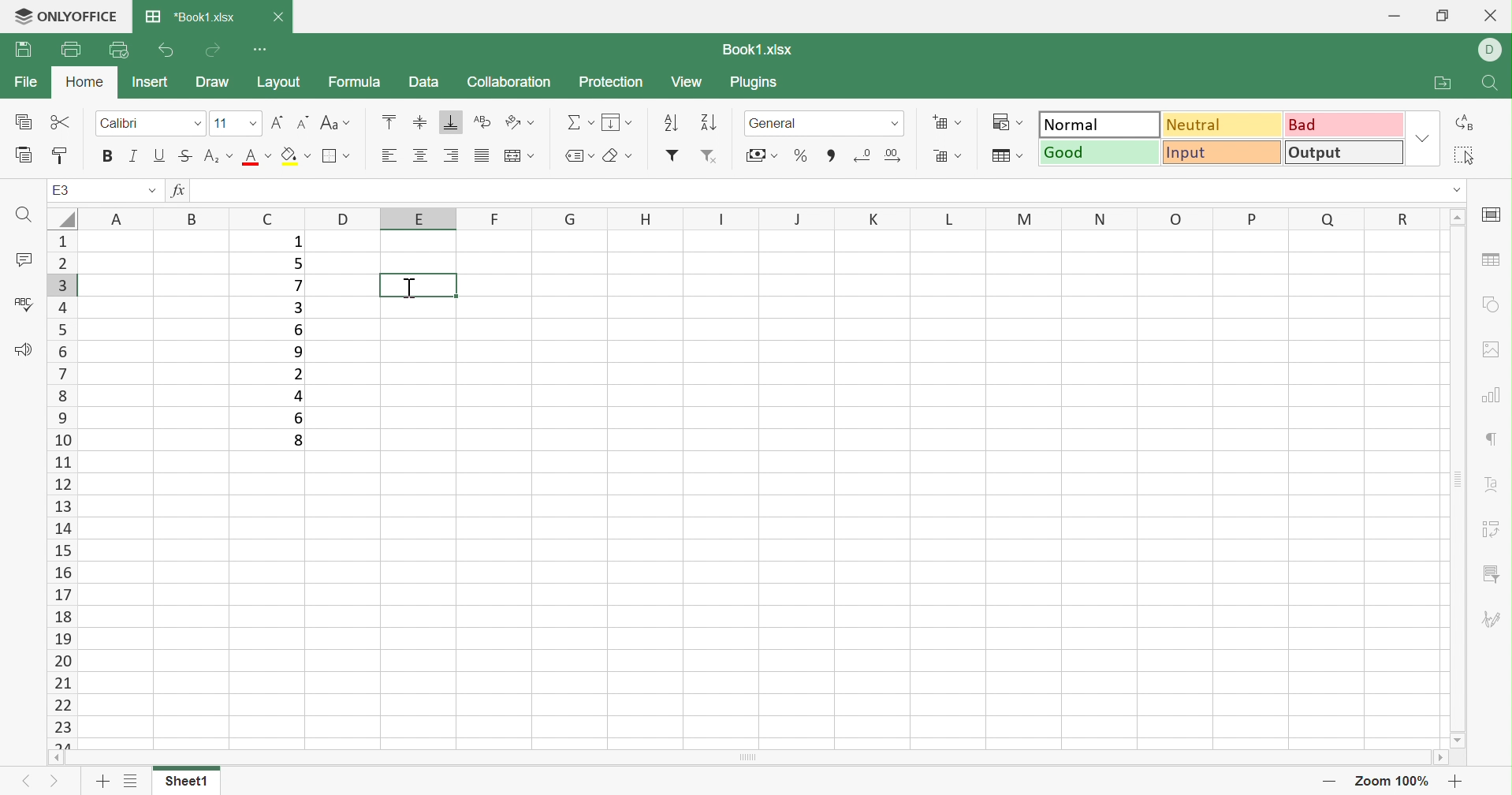 The image size is (1512, 795). Describe the element at coordinates (420, 155) in the screenshot. I see `Align Center` at that location.